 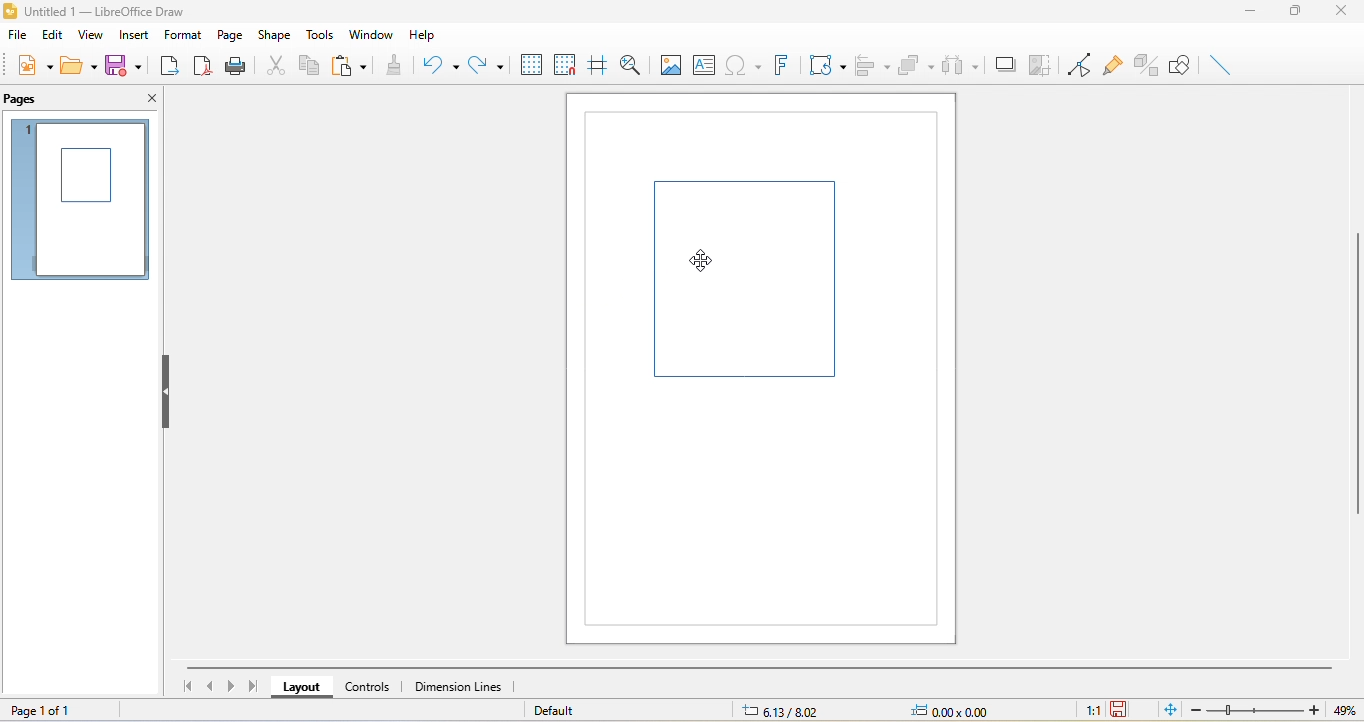 I want to click on view, so click(x=93, y=38).